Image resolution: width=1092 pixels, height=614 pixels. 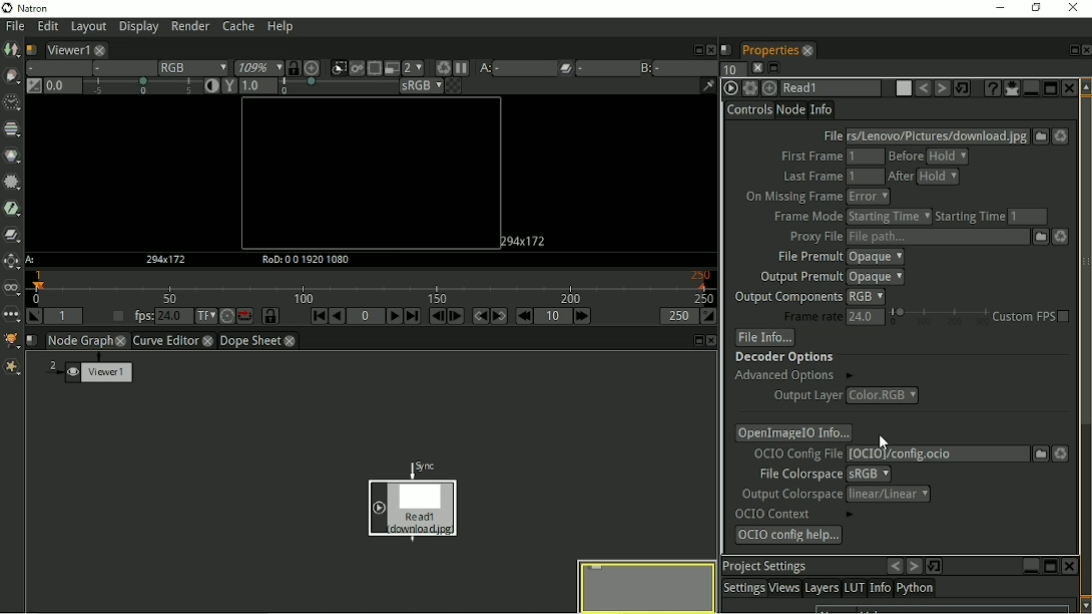 I want to click on File colorspace, so click(x=819, y=474).